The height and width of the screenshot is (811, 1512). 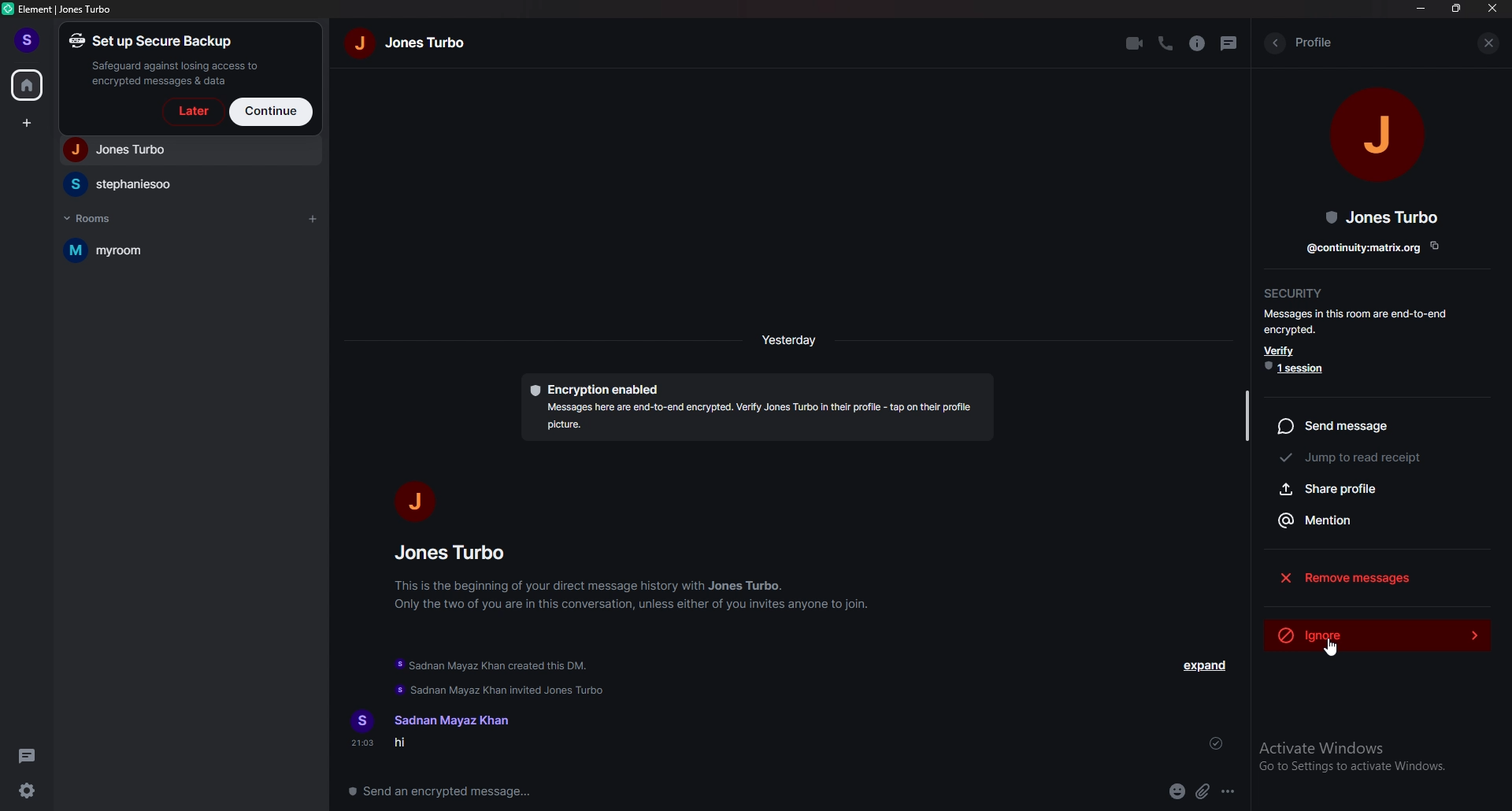 What do you see at coordinates (1377, 576) in the screenshot?
I see `remove messages` at bounding box center [1377, 576].